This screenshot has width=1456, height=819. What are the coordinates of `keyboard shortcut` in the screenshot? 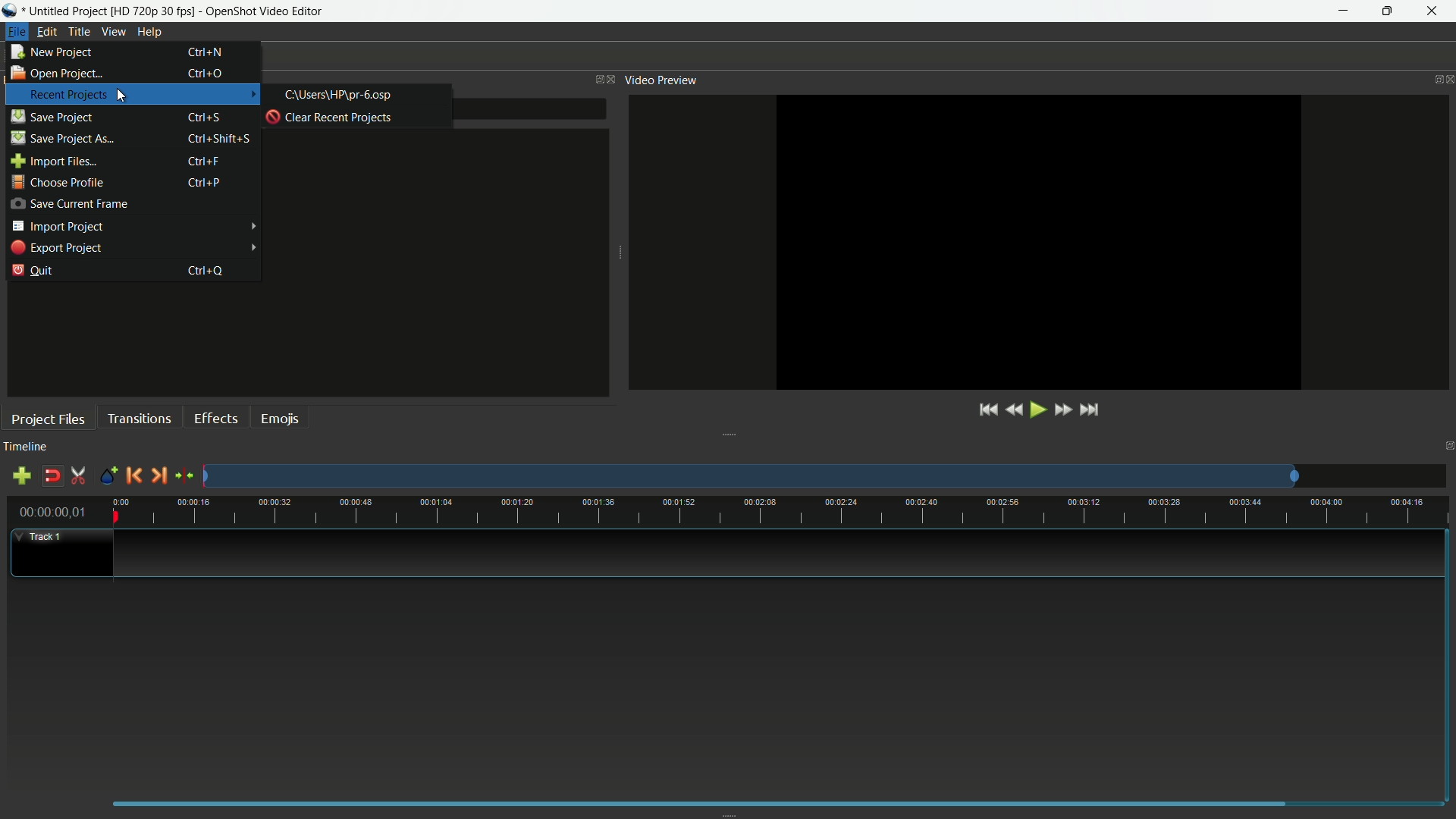 It's located at (206, 271).